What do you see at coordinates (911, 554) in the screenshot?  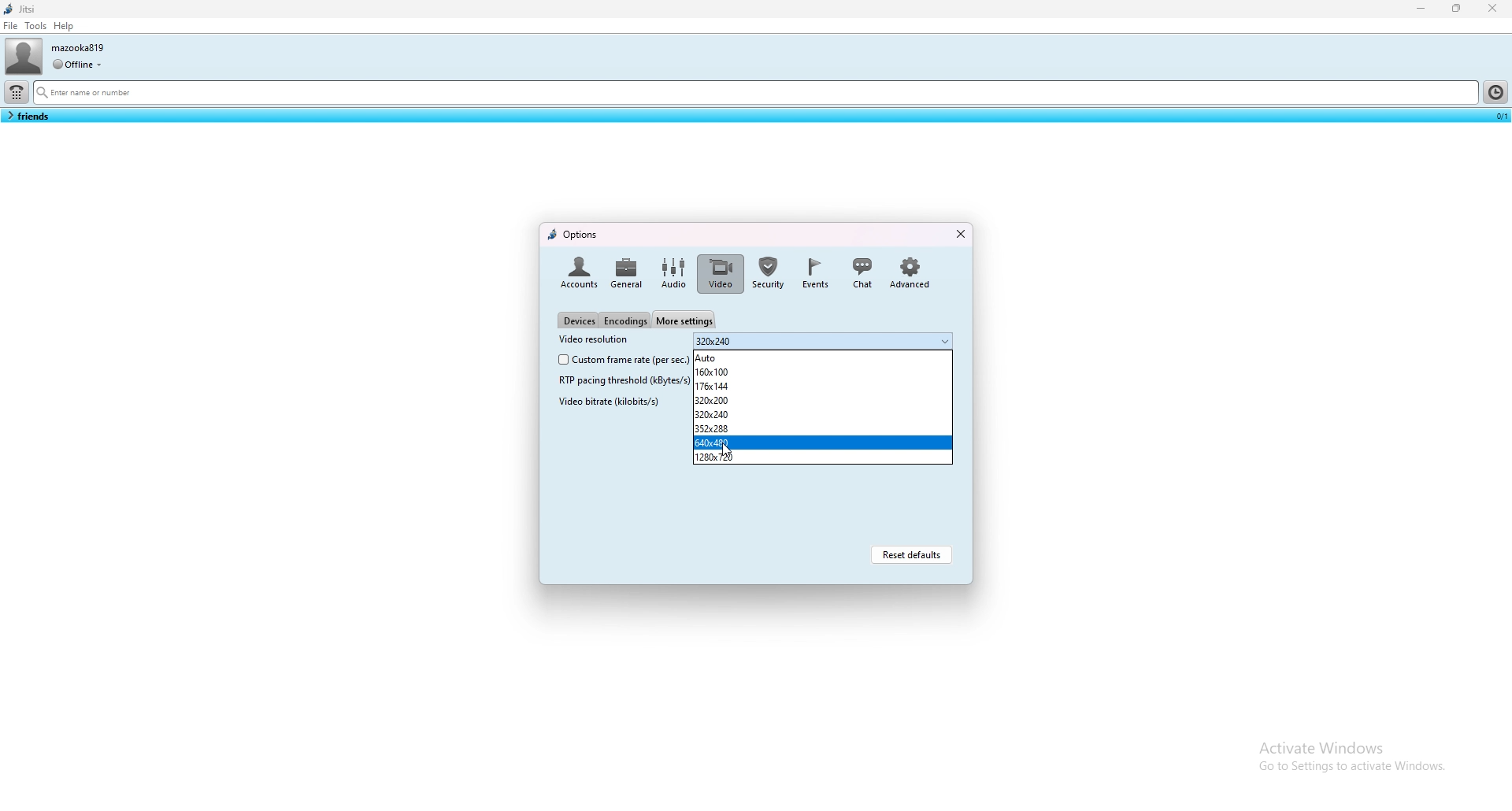 I see `Reset defaults` at bounding box center [911, 554].